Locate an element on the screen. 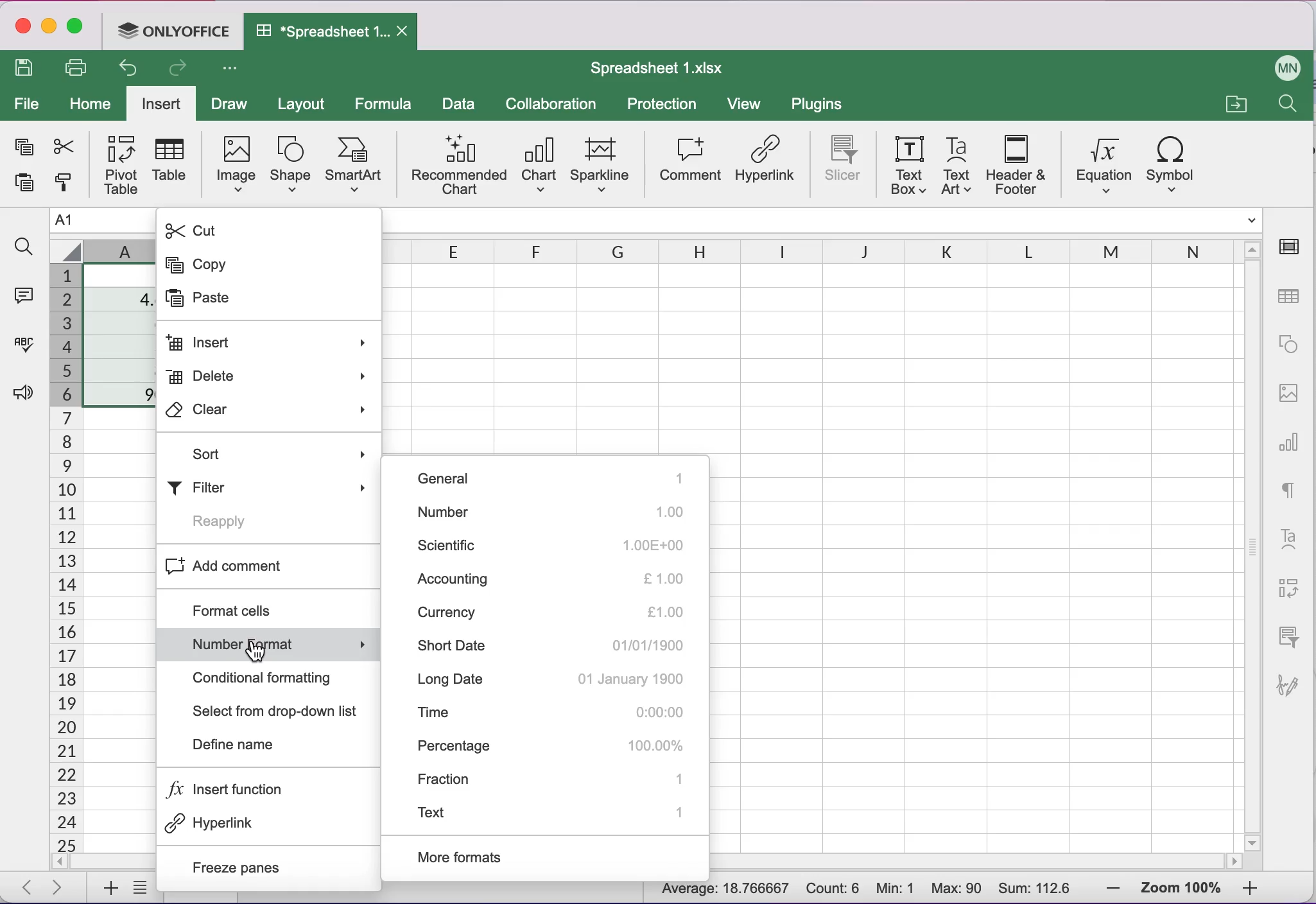  plugins is located at coordinates (818, 105).